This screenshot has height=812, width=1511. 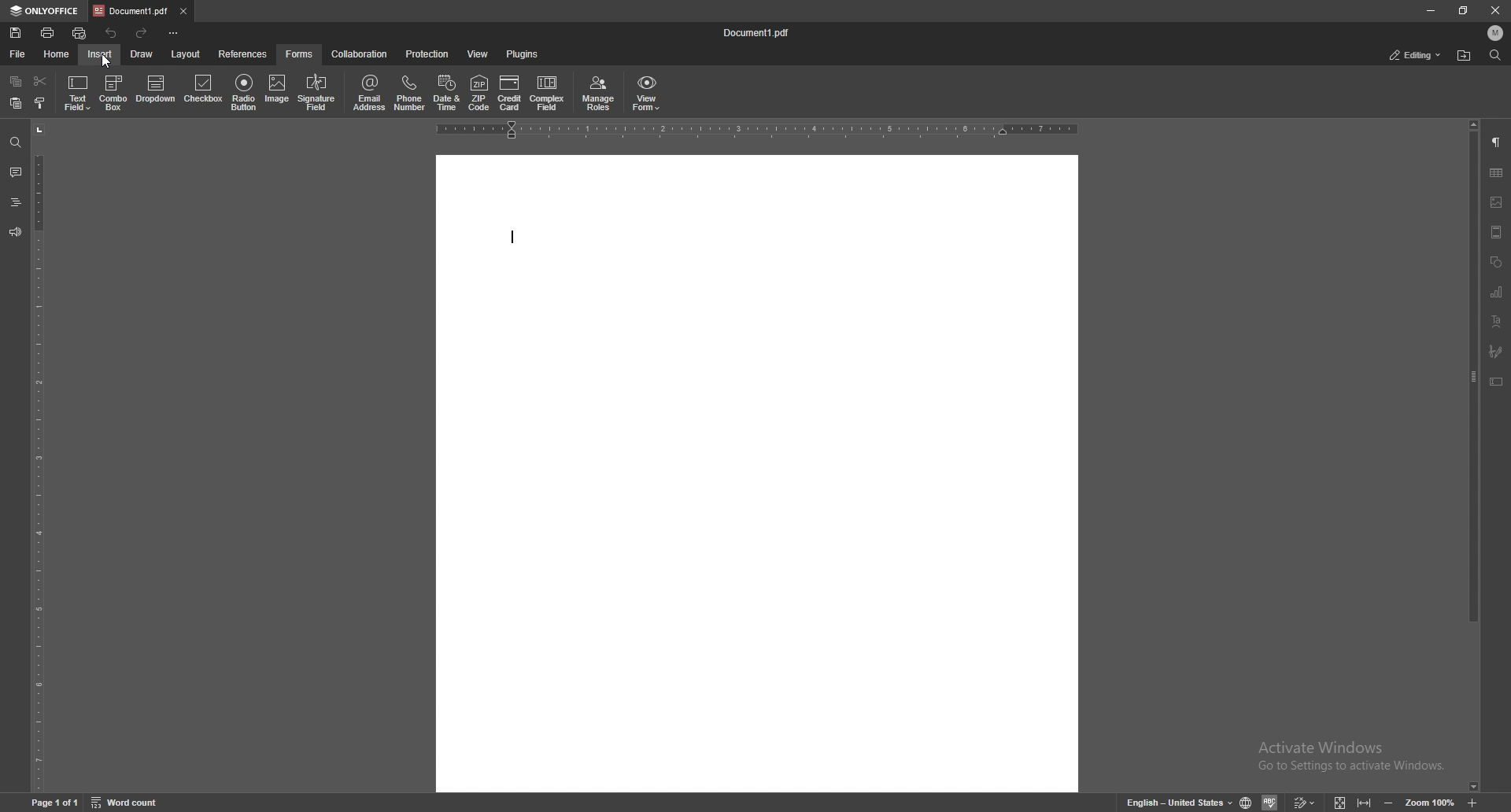 I want to click on redo, so click(x=142, y=35).